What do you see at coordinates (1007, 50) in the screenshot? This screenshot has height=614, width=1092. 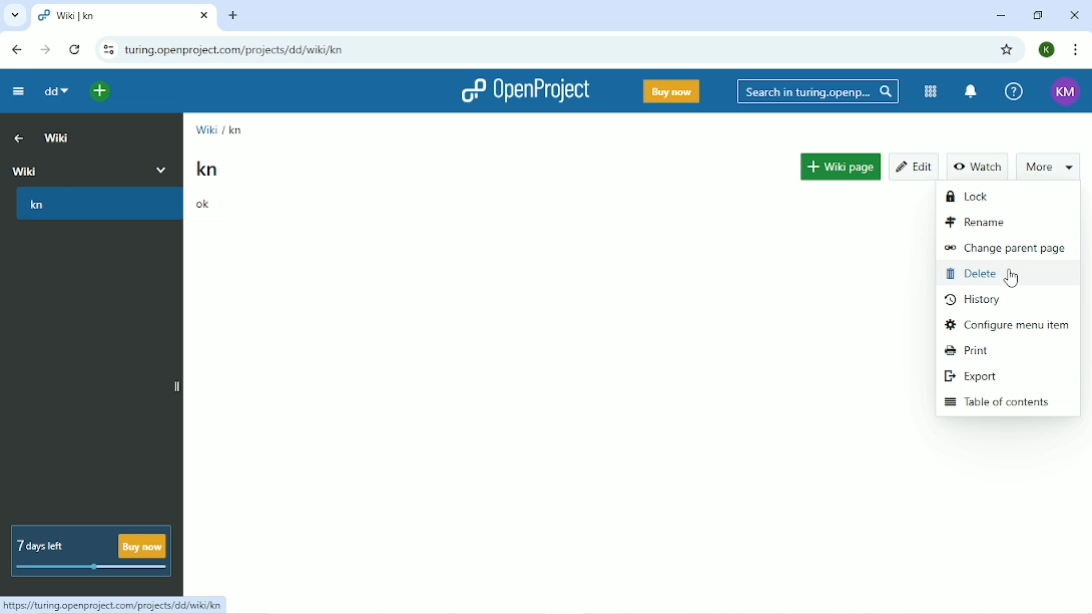 I see `Bookmark this tab` at bounding box center [1007, 50].